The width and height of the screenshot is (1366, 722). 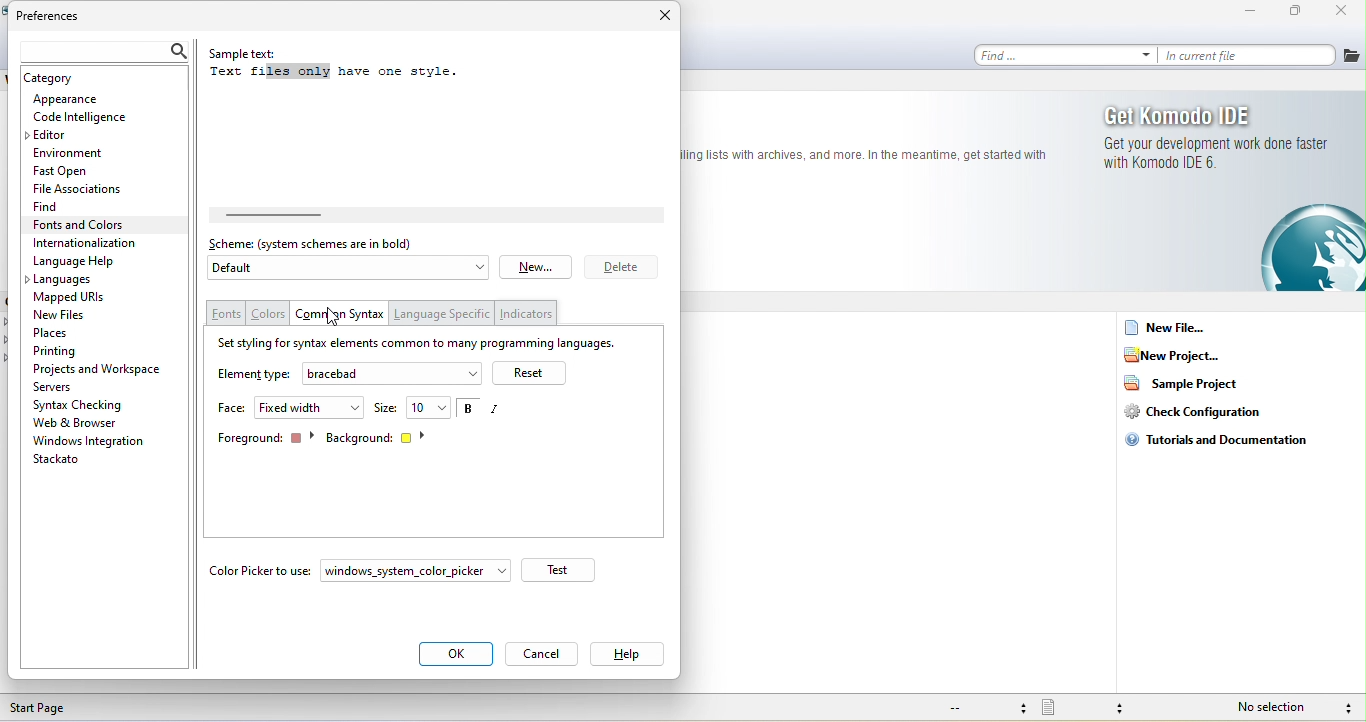 I want to click on no selection, so click(x=1274, y=706).